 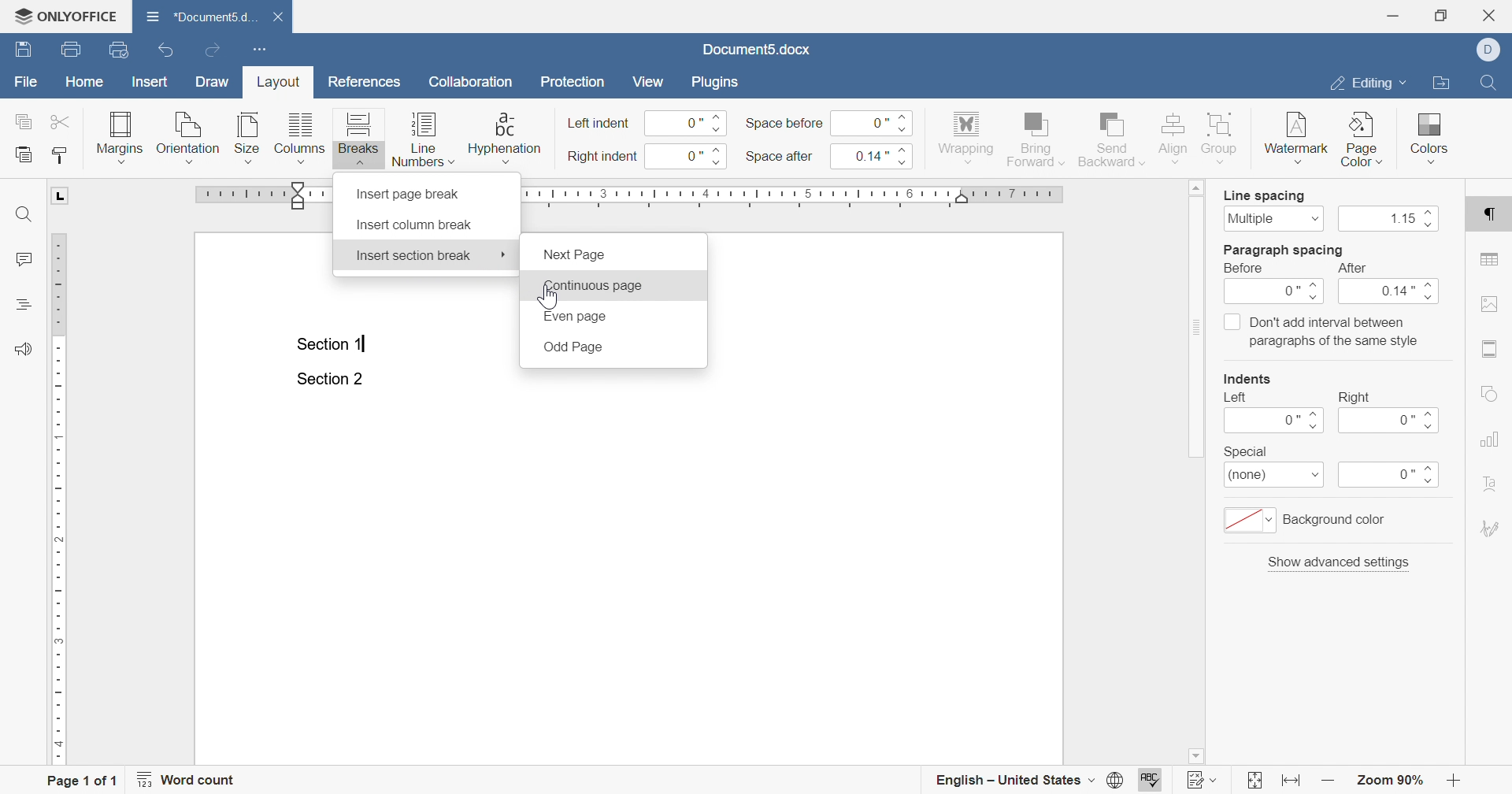 What do you see at coordinates (504, 254) in the screenshot?
I see `cursor` at bounding box center [504, 254].